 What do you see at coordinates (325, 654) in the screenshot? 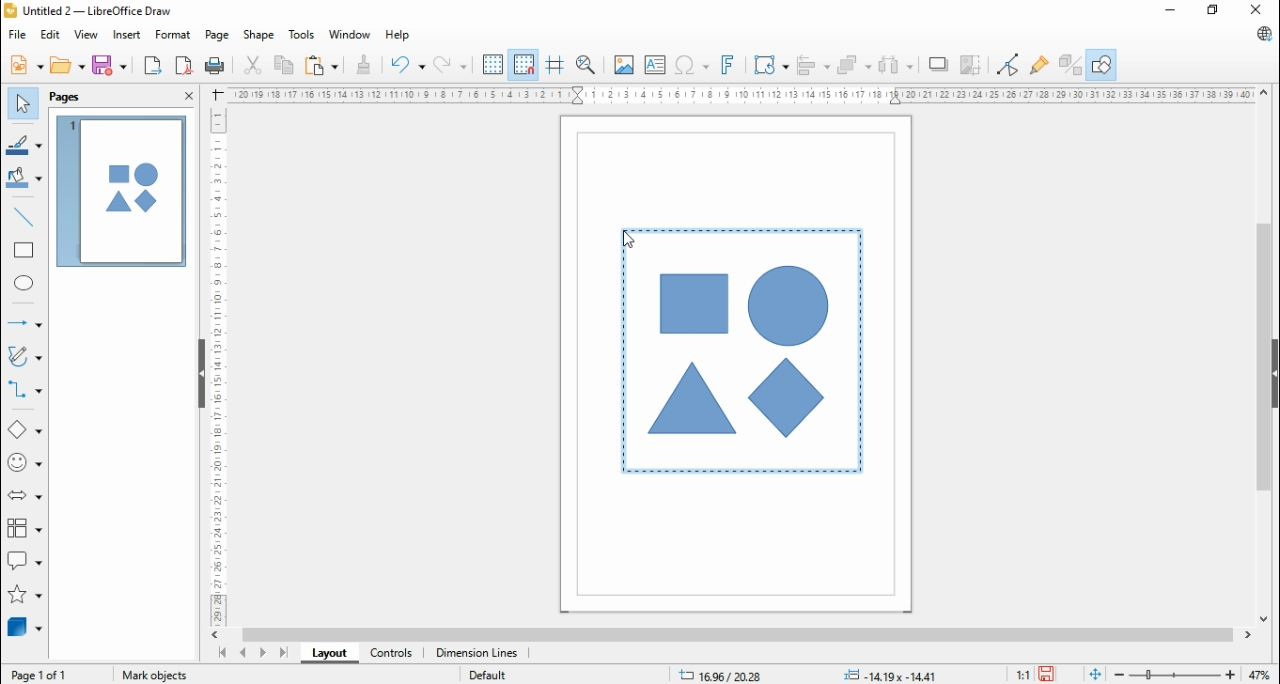
I see `layout` at bounding box center [325, 654].